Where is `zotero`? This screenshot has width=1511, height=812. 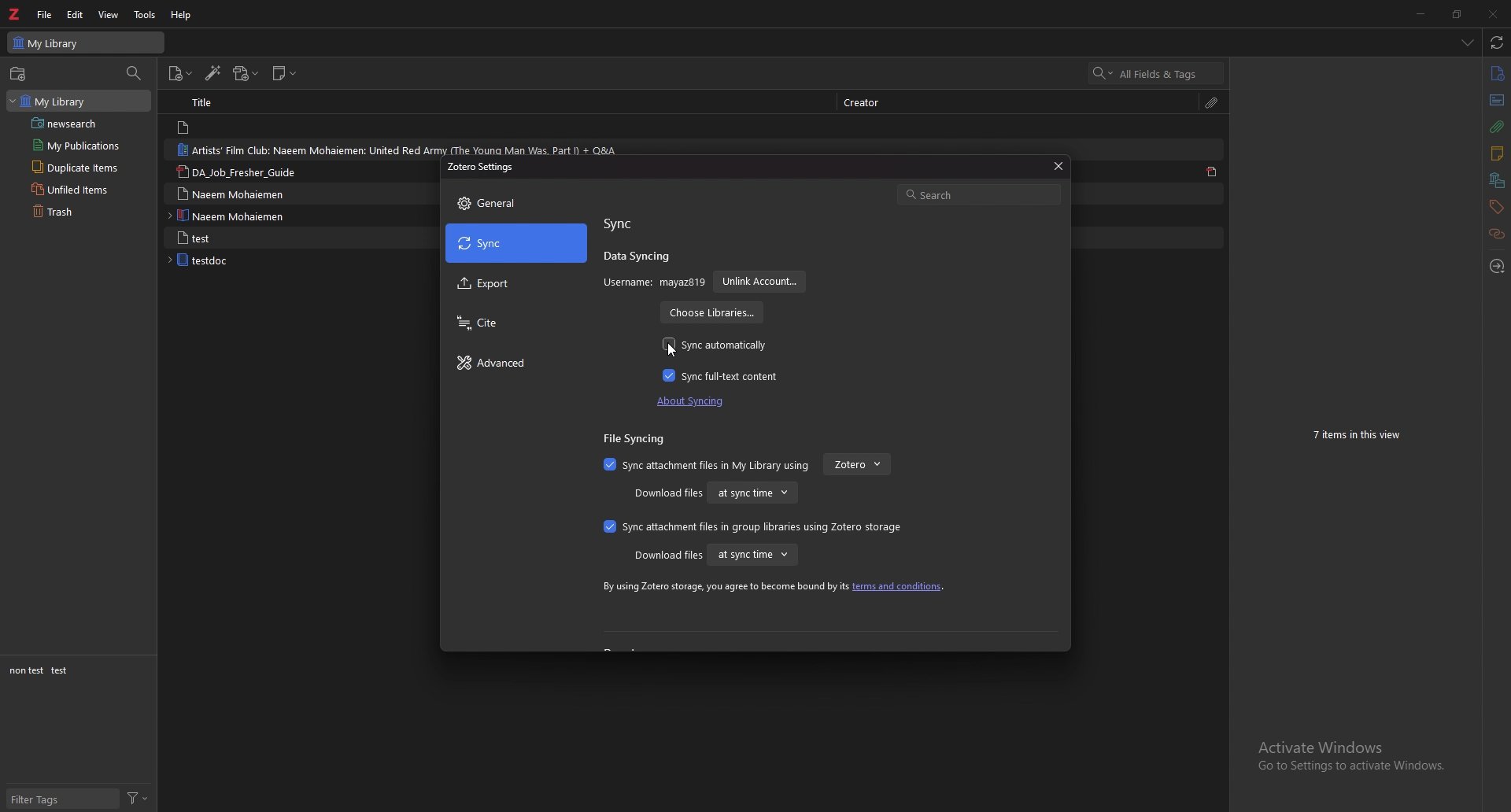
zotero is located at coordinates (857, 464).